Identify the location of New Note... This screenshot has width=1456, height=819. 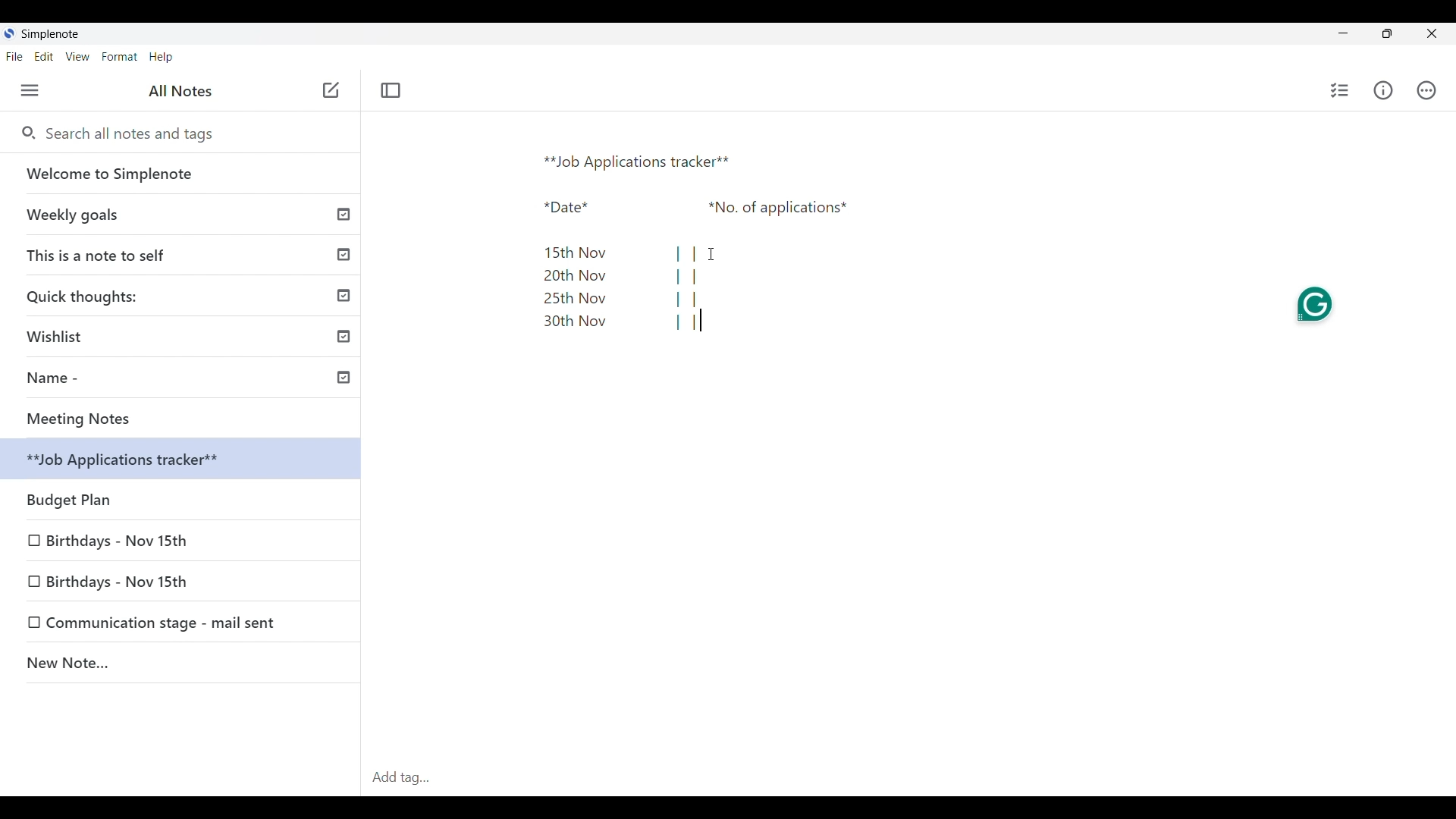
(181, 665).